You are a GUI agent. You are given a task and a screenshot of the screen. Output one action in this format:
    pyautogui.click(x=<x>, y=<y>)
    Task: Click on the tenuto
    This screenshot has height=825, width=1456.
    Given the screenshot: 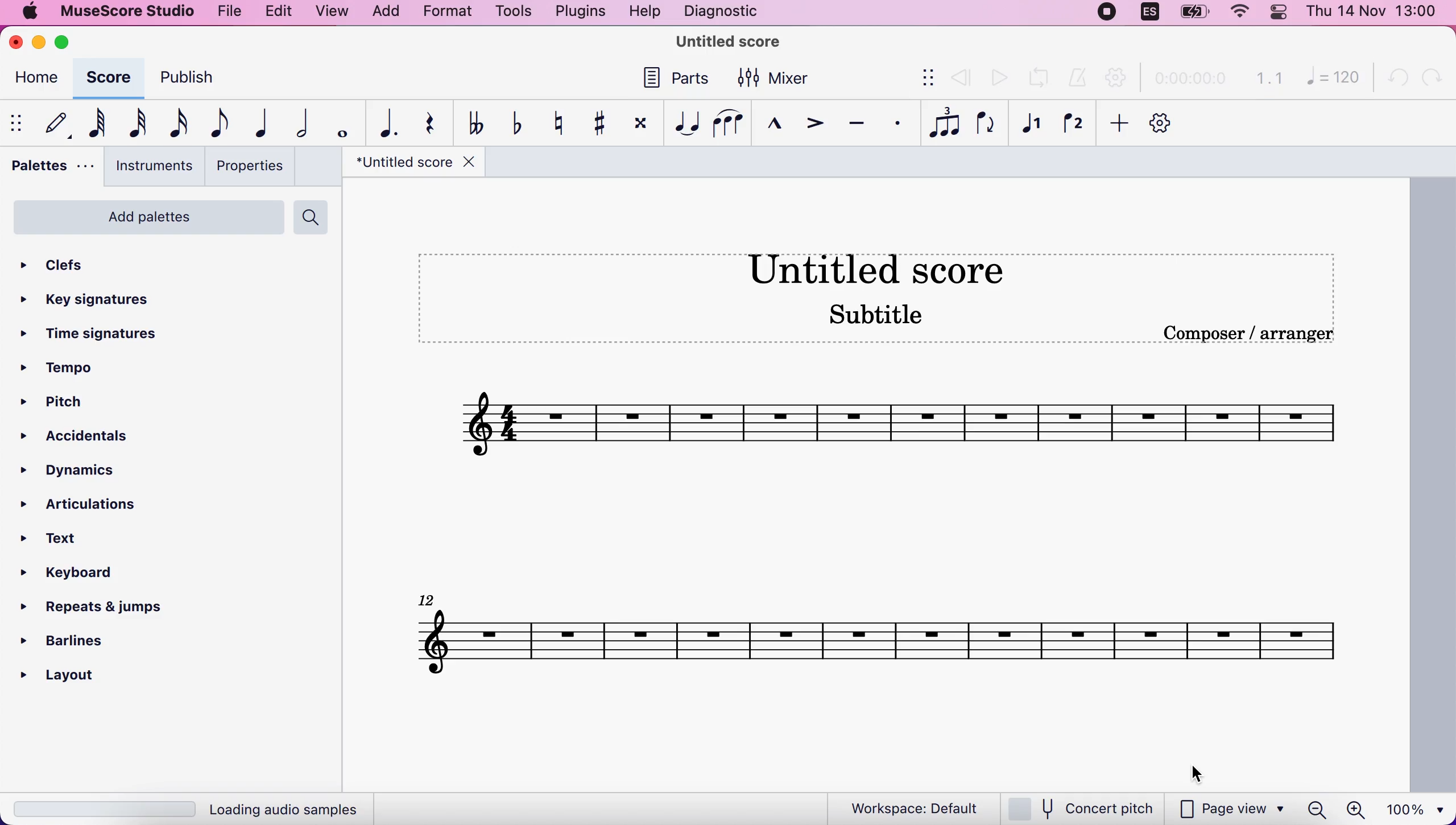 What is the action you would take?
    pyautogui.click(x=857, y=127)
    